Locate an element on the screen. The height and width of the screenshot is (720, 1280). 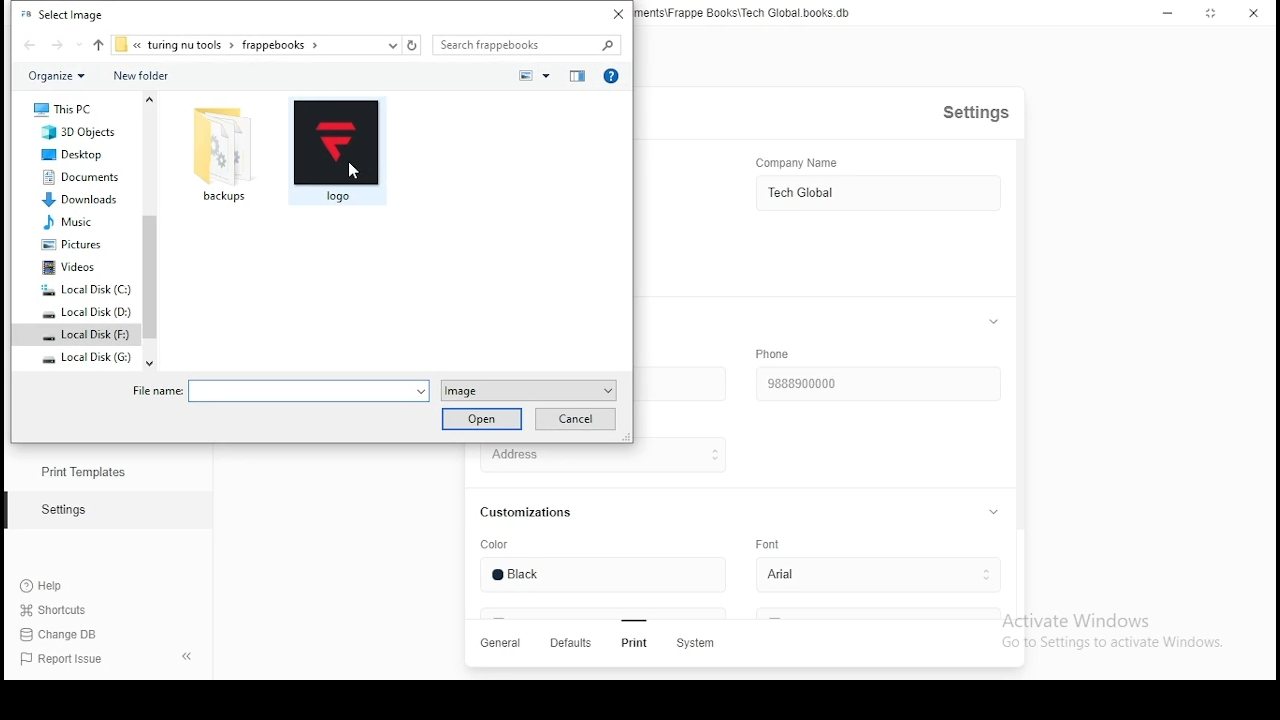
CLOSE  is located at coordinates (1255, 13).